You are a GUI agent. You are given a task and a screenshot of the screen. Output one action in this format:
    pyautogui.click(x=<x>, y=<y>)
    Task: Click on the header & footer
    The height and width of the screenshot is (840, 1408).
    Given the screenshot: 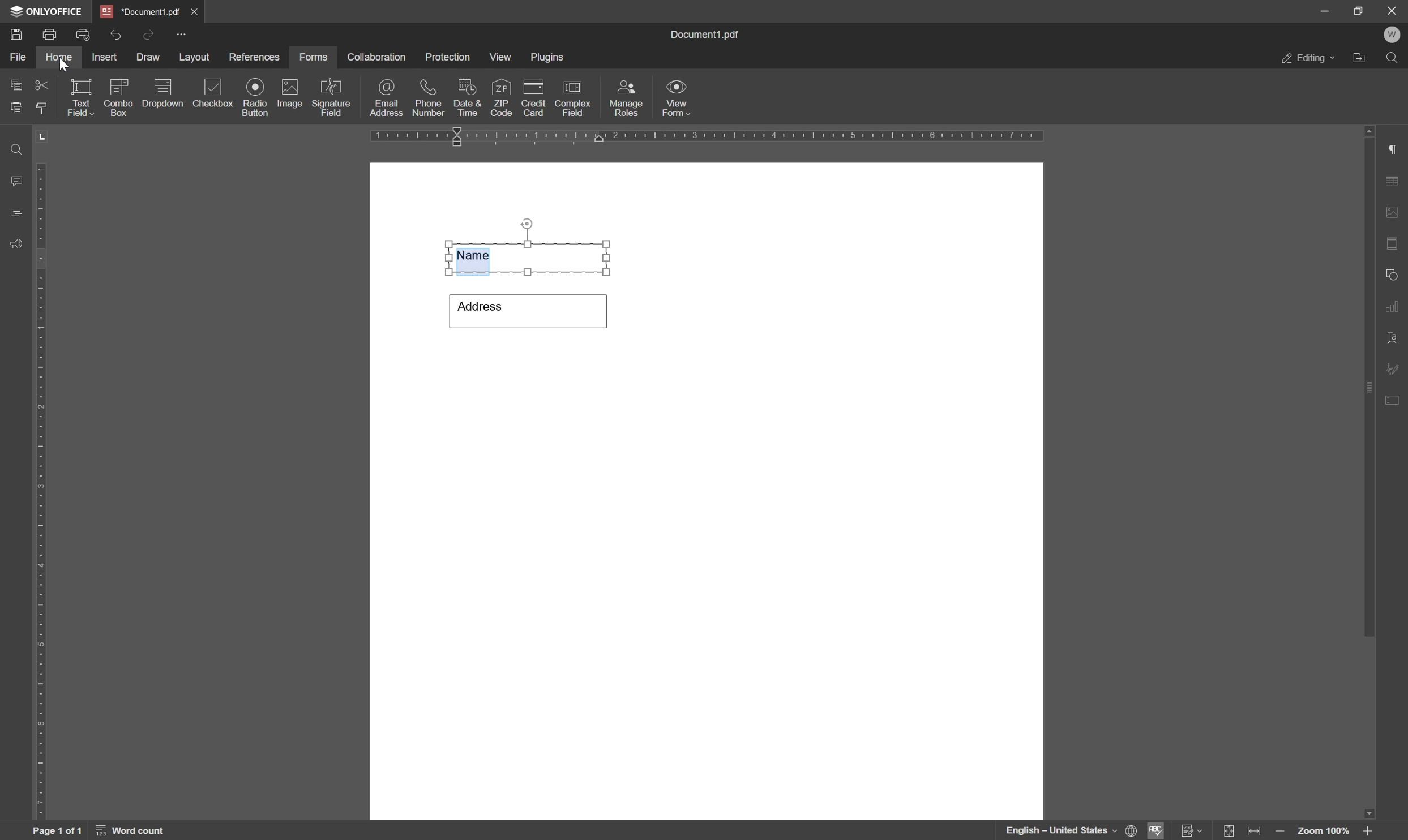 What is the action you would take?
    pyautogui.click(x=1394, y=245)
    